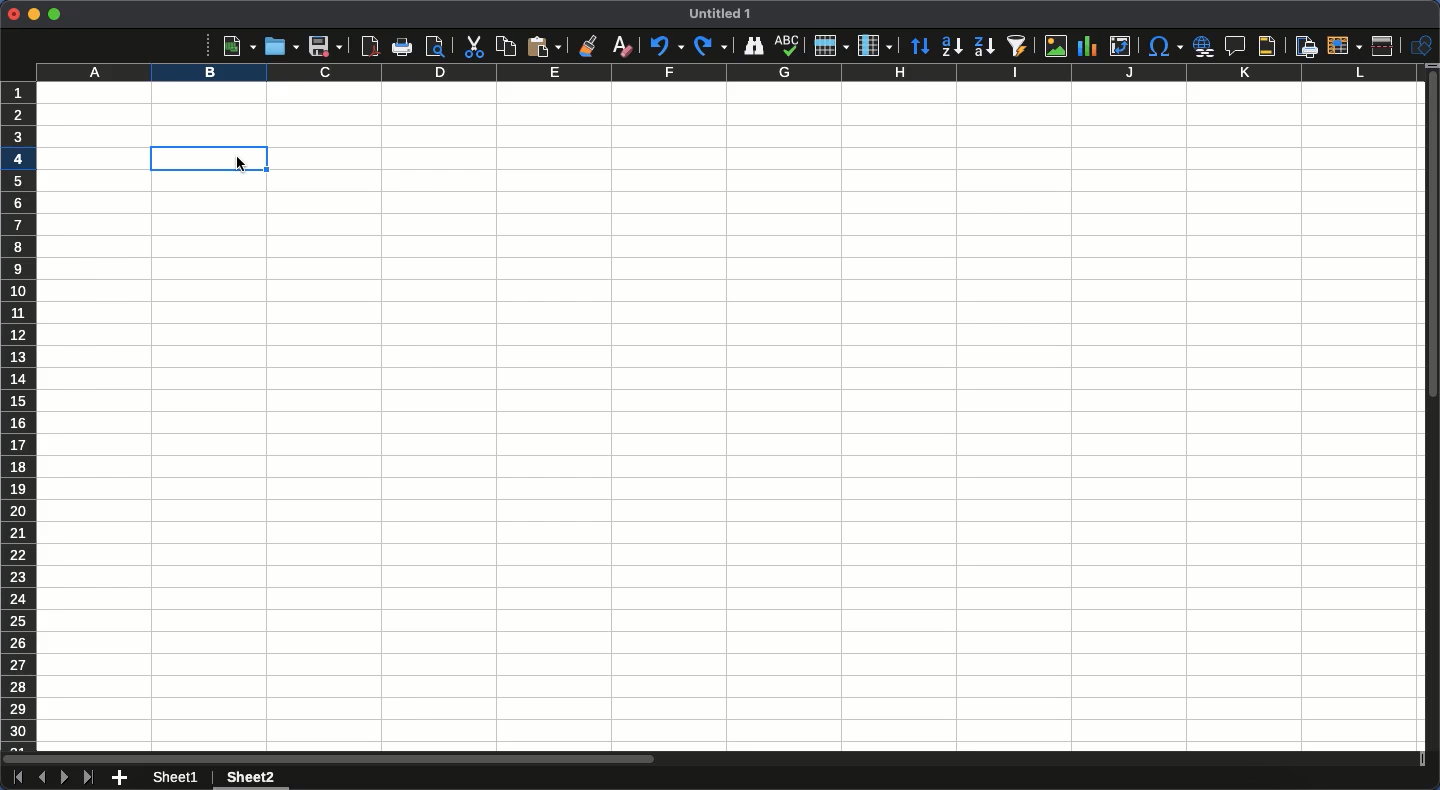 The height and width of the screenshot is (790, 1440). What do you see at coordinates (88, 777) in the screenshot?
I see `Last sheet` at bounding box center [88, 777].